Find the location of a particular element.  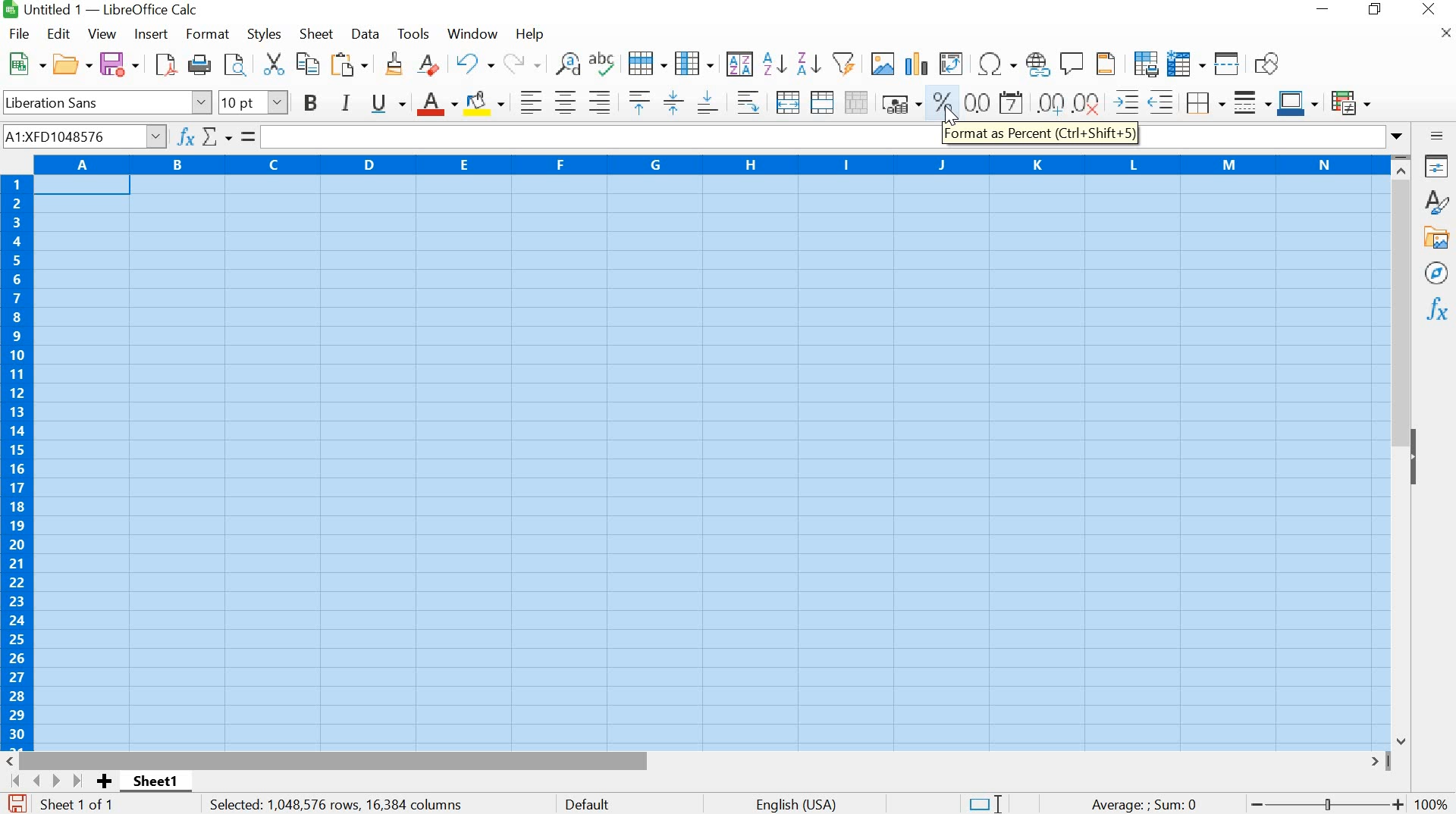

ROWS is located at coordinates (15, 461).